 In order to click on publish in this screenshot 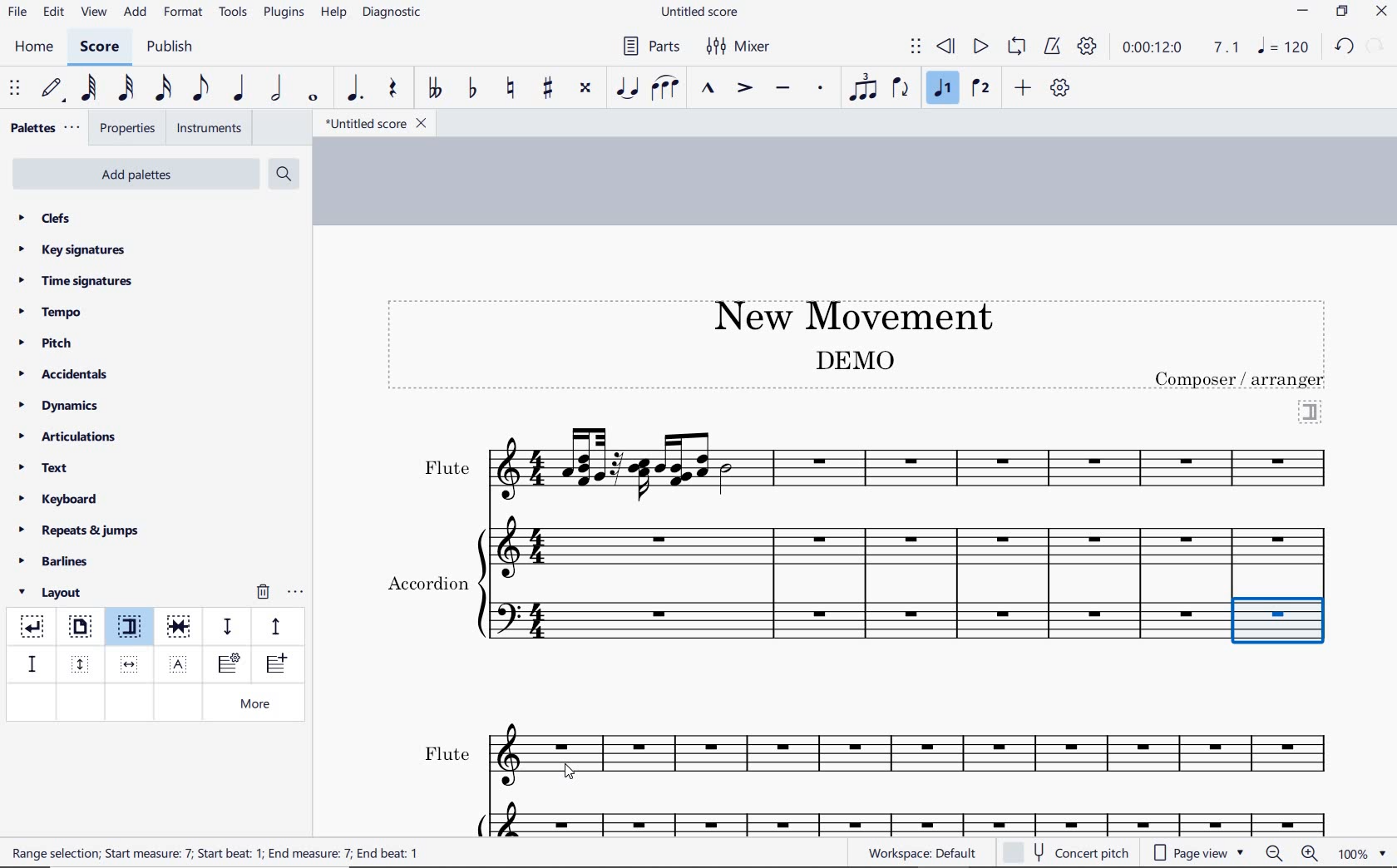, I will do `click(168, 48)`.